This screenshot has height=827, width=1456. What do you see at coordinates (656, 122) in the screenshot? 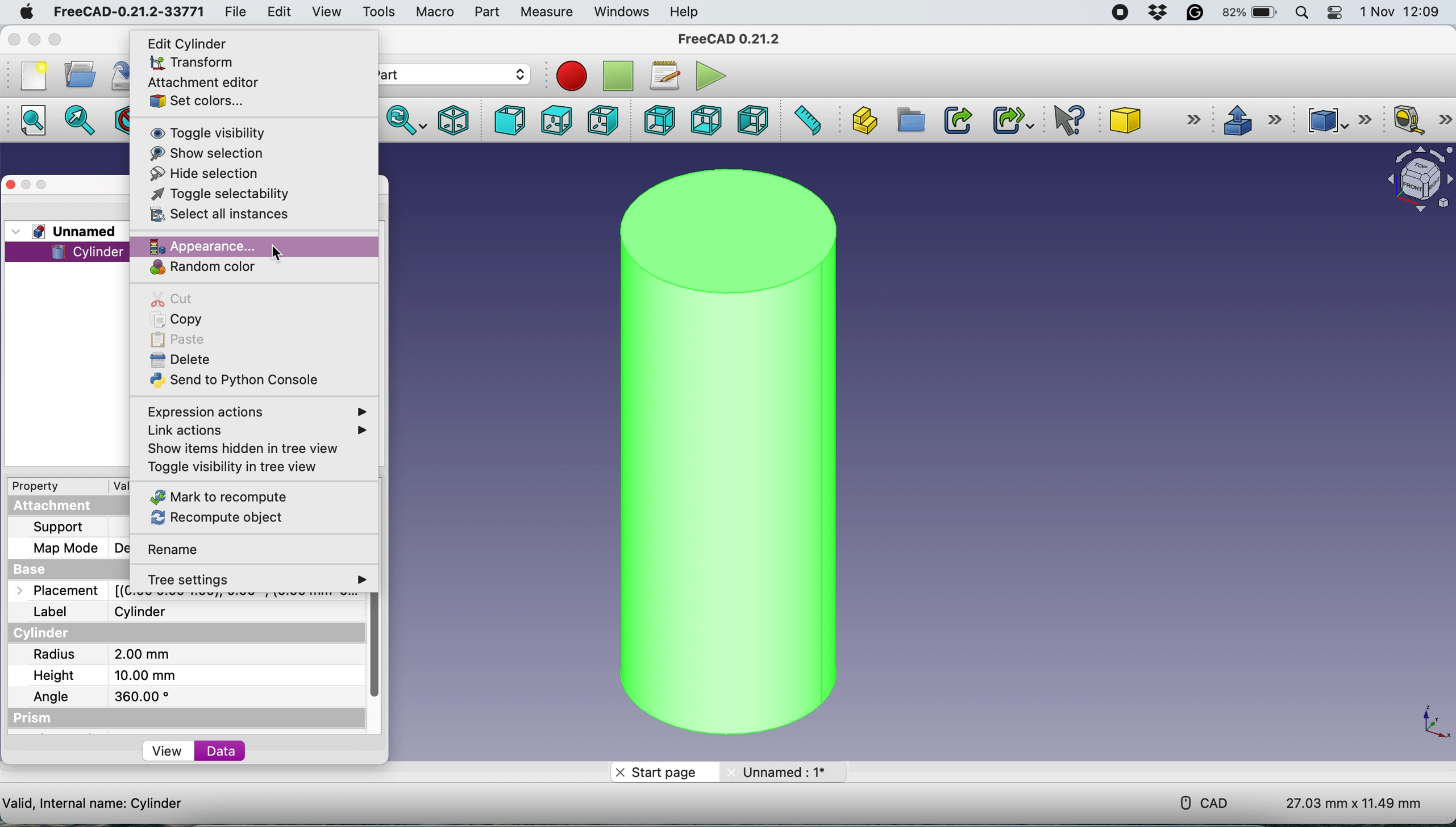
I see `rear` at bounding box center [656, 122].